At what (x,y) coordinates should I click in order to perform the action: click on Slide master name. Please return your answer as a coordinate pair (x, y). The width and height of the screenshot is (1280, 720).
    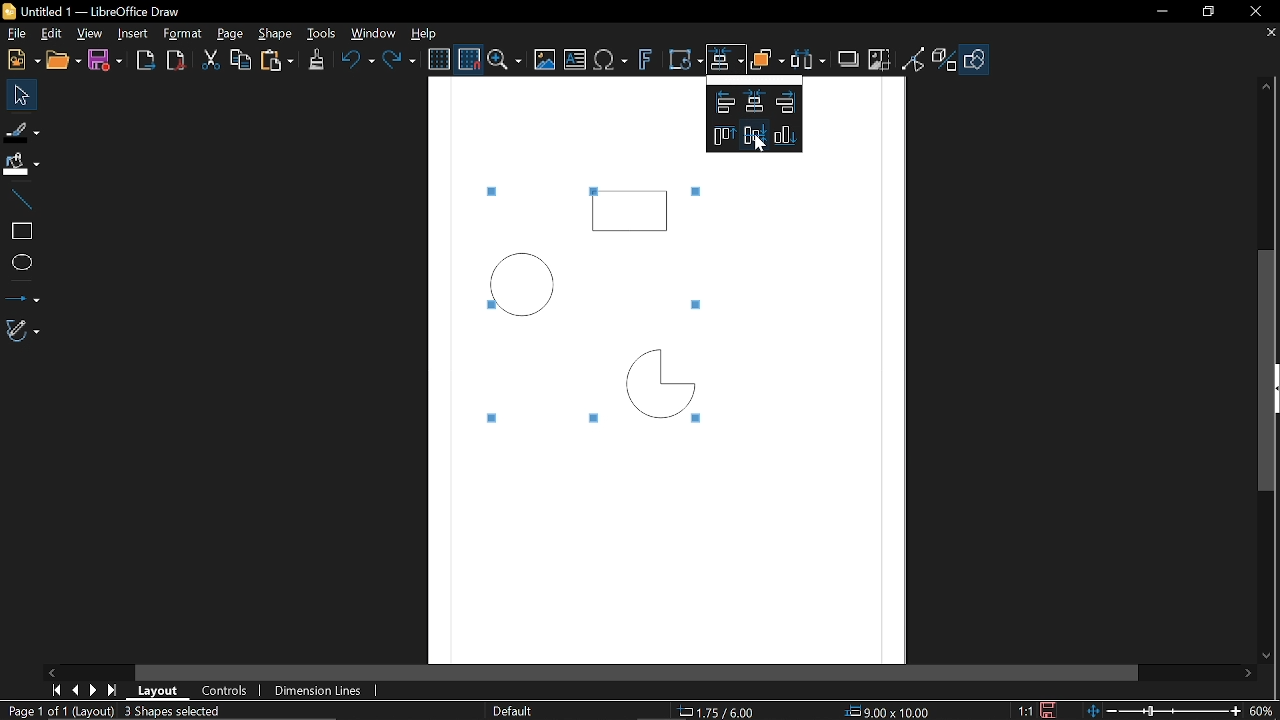
    Looking at the image, I should click on (510, 711).